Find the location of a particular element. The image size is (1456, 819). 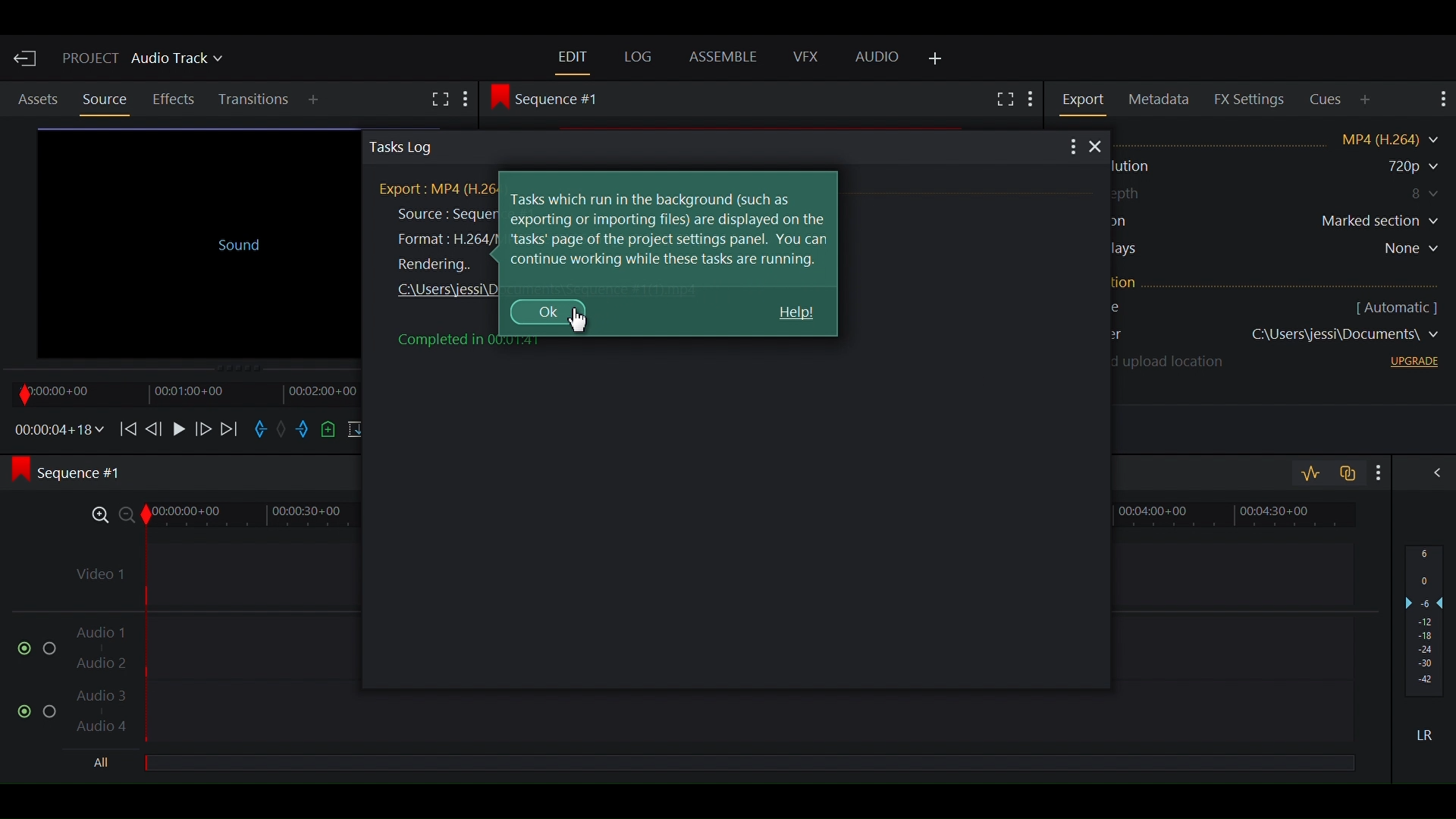

All is located at coordinates (105, 764).